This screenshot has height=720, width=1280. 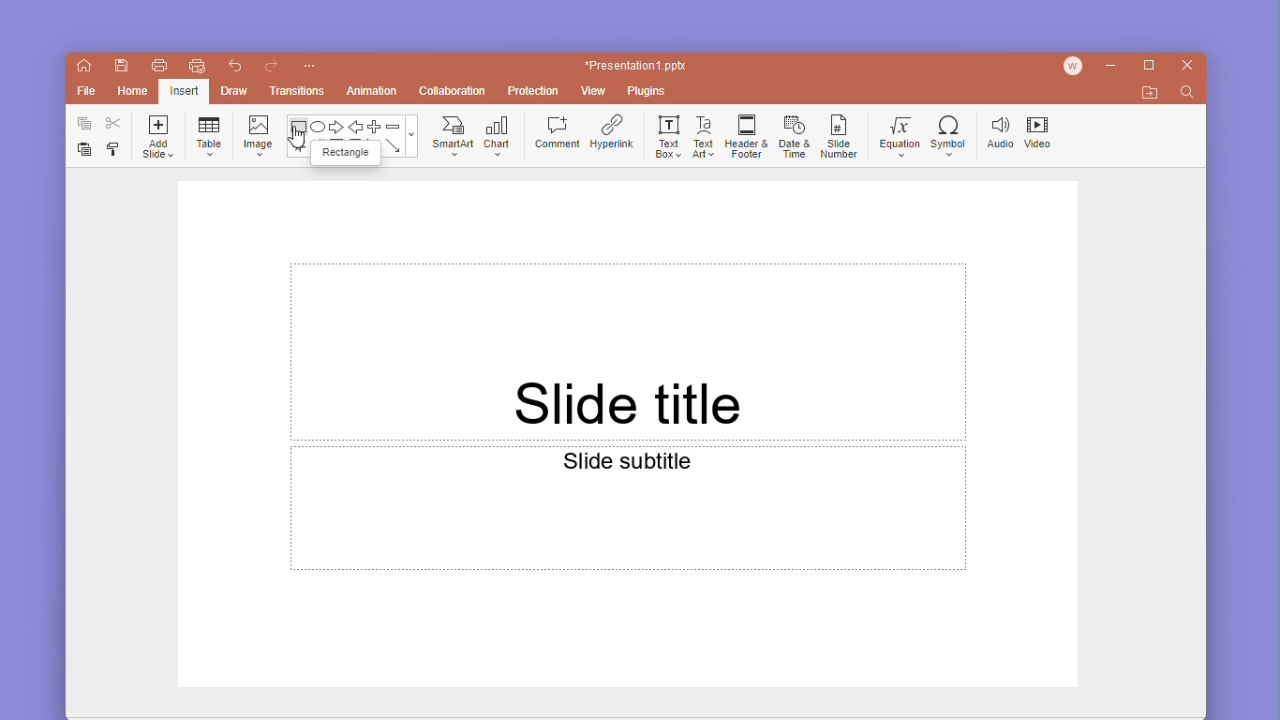 I want to click on chat, so click(x=500, y=134).